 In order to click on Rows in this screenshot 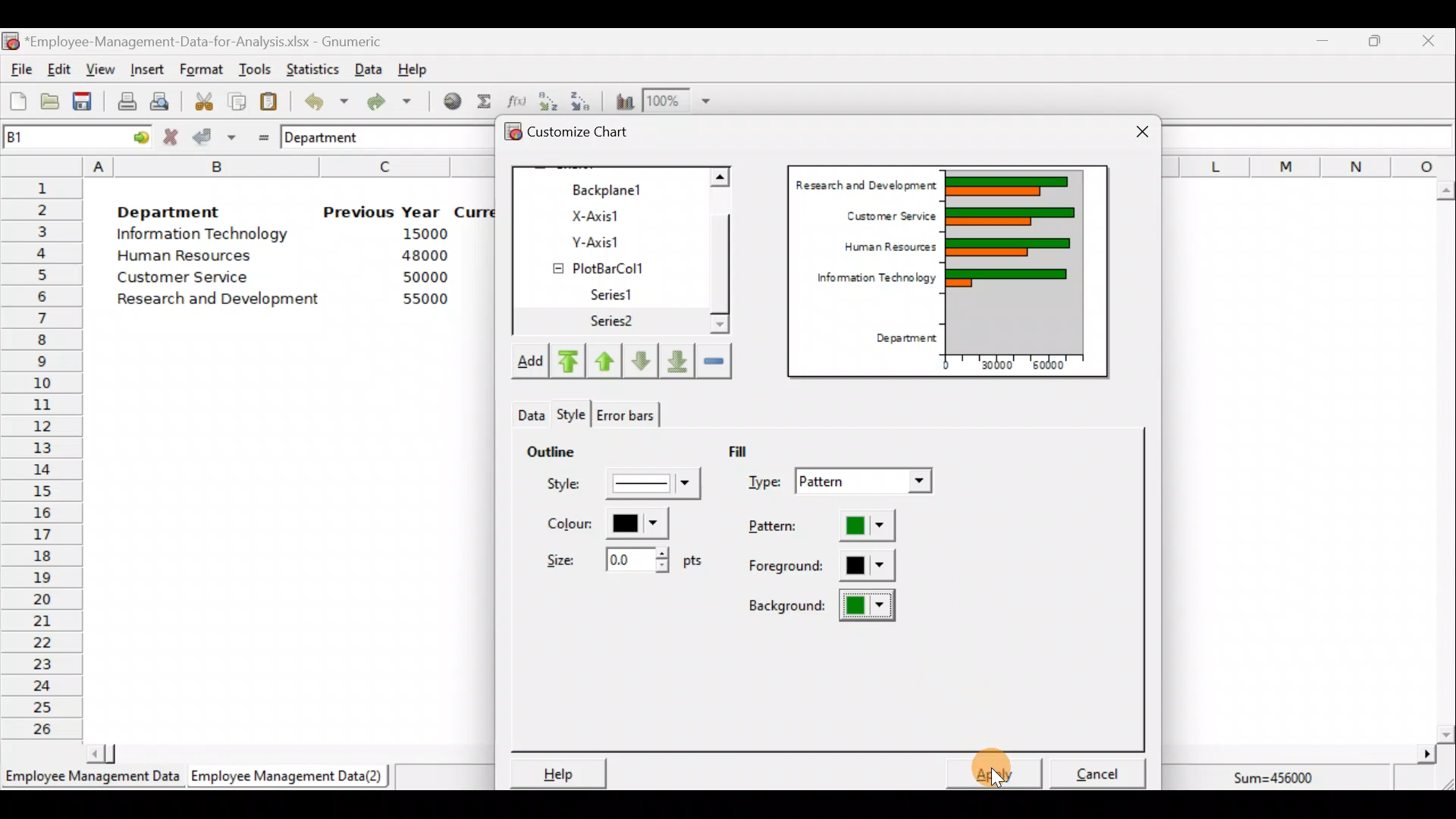, I will do `click(42, 456)`.